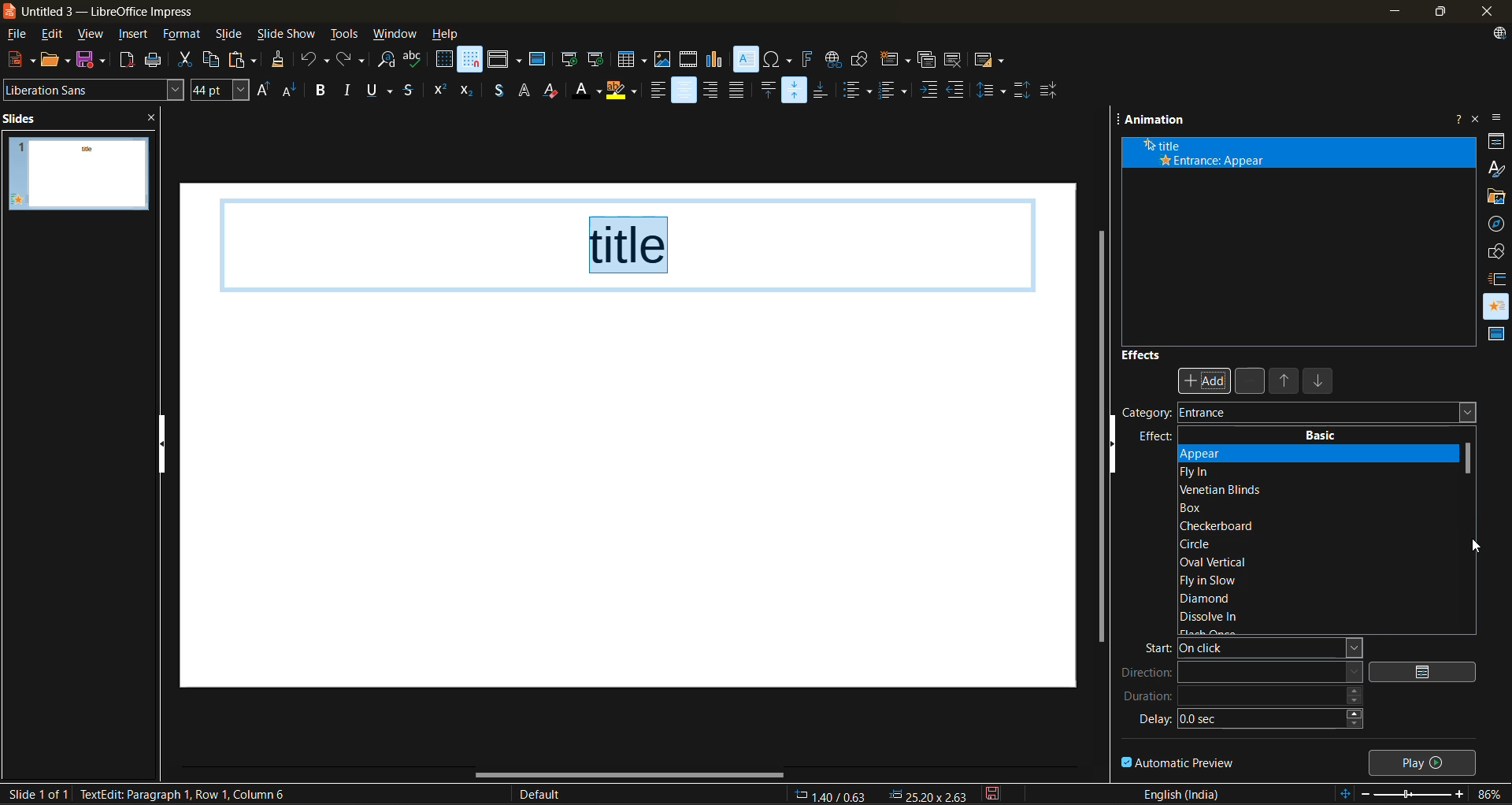 The width and height of the screenshot is (1512, 805). I want to click on character highlighting color, so click(623, 91).